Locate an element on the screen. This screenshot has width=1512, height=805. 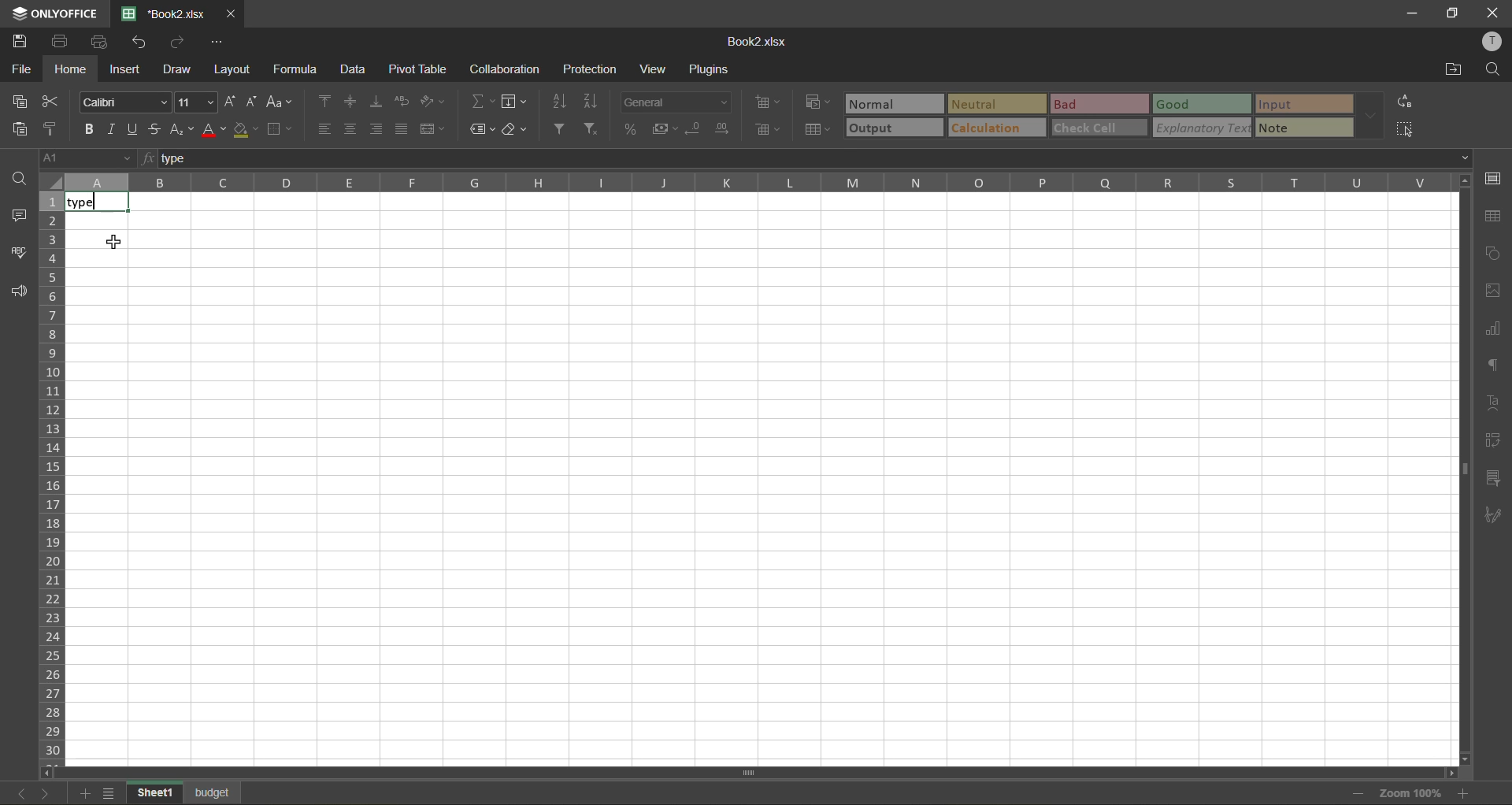
neutral  is located at coordinates (996, 103).